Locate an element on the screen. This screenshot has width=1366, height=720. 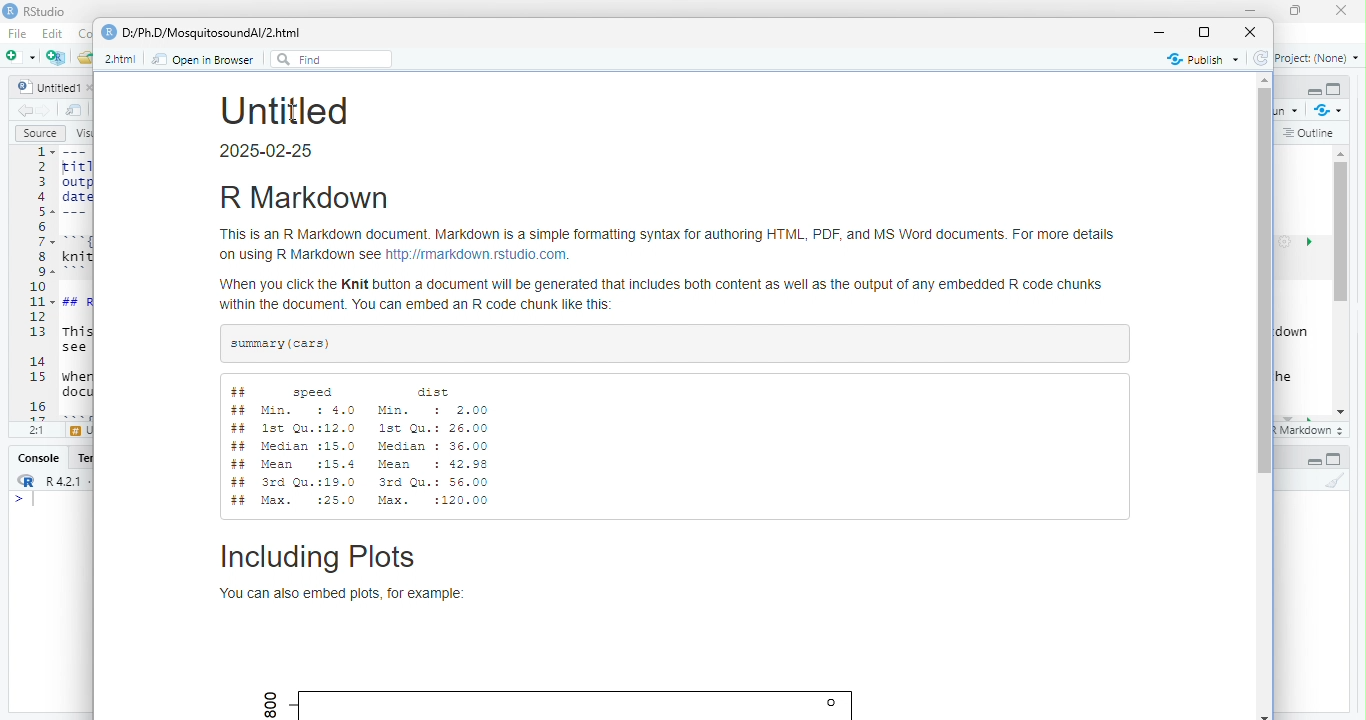
R4.2.1 is located at coordinates (63, 481).